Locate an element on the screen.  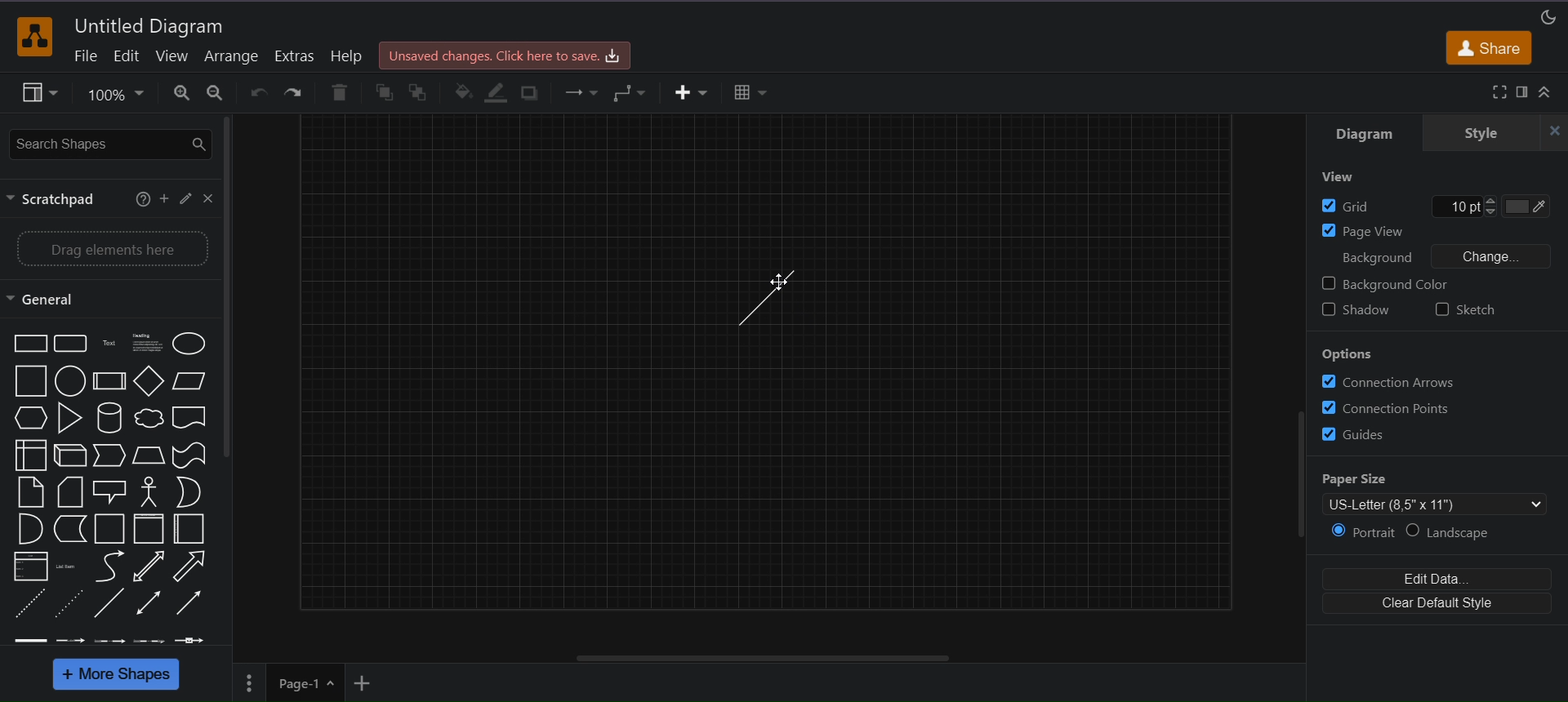
page 1 is located at coordinates (305, 682).